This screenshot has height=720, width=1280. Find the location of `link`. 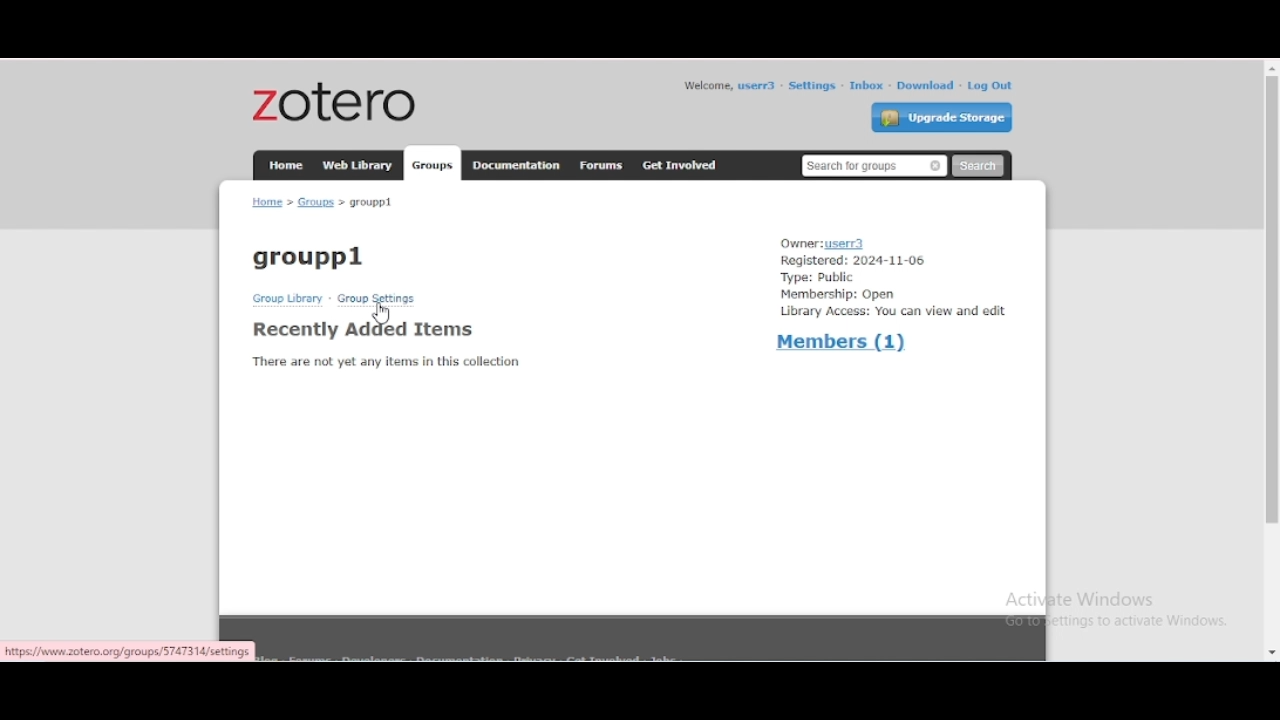

link is located at coordinates (130, 651).